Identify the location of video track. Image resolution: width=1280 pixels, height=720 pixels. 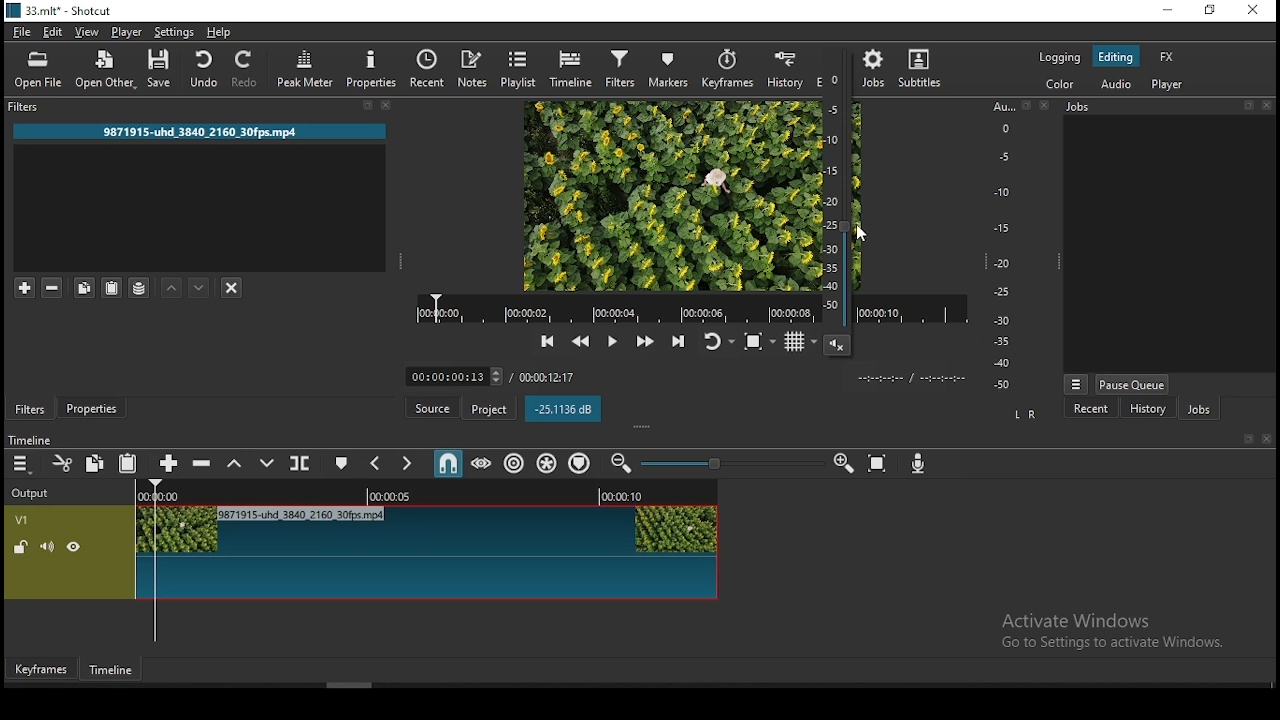
(424, 554).